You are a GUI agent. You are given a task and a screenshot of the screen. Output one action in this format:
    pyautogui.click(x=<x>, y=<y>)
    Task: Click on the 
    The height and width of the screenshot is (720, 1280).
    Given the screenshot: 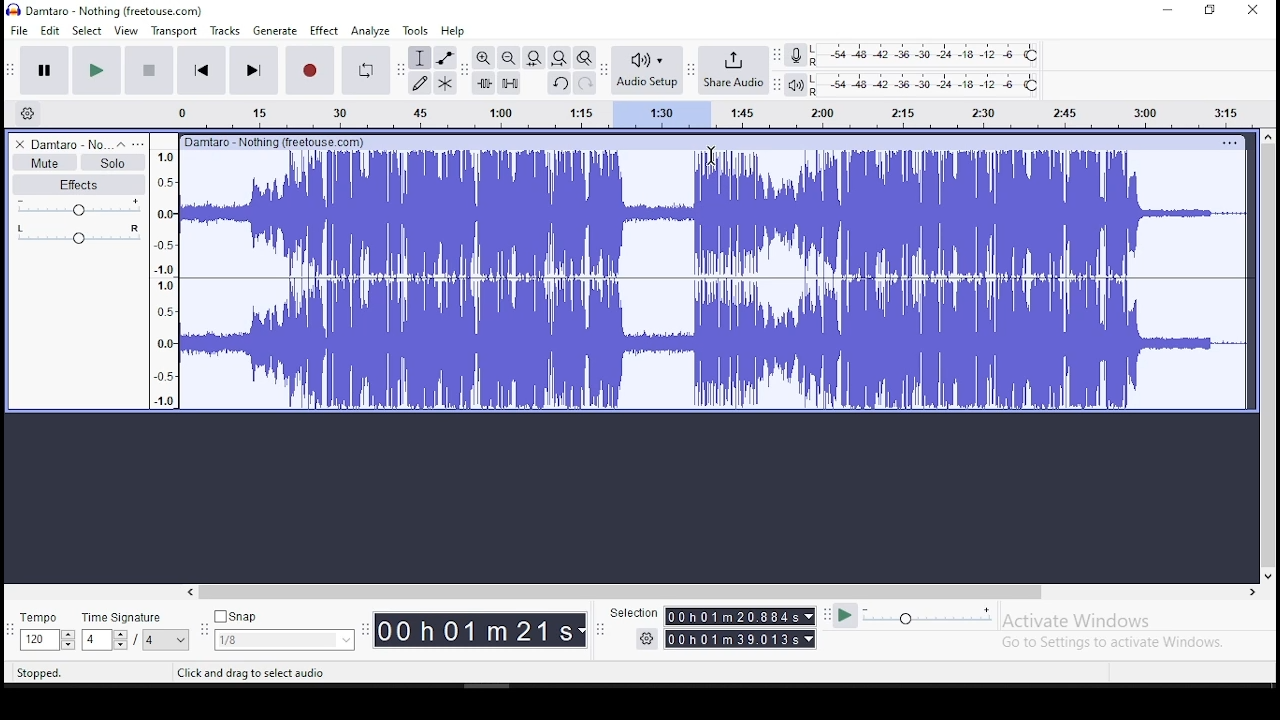 What is the action you would take?
    pyautogui.click(x=601, y=630)
    